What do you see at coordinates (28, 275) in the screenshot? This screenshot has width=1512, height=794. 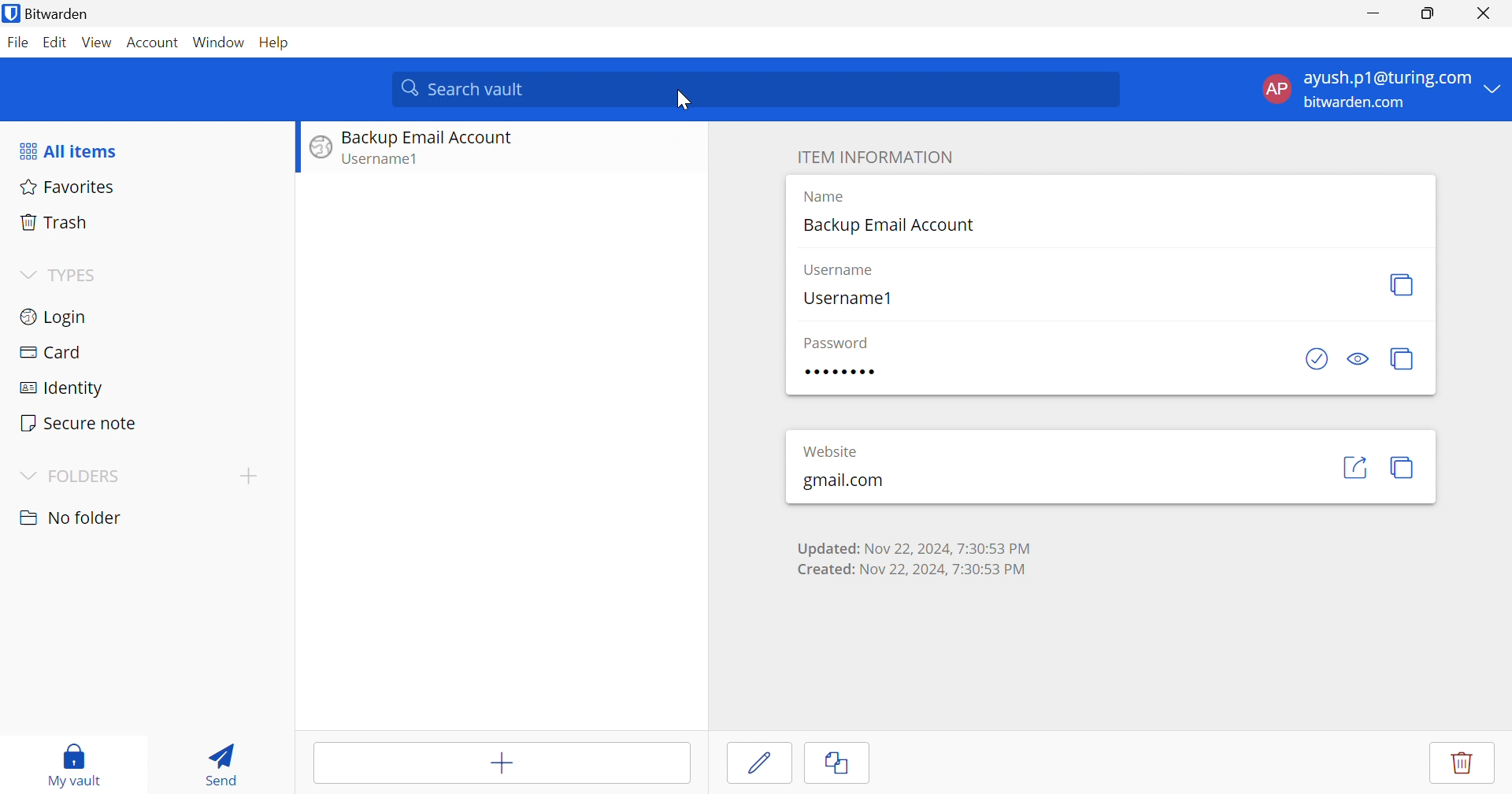 I see `Drop Down` at bounding box center [28, 275].